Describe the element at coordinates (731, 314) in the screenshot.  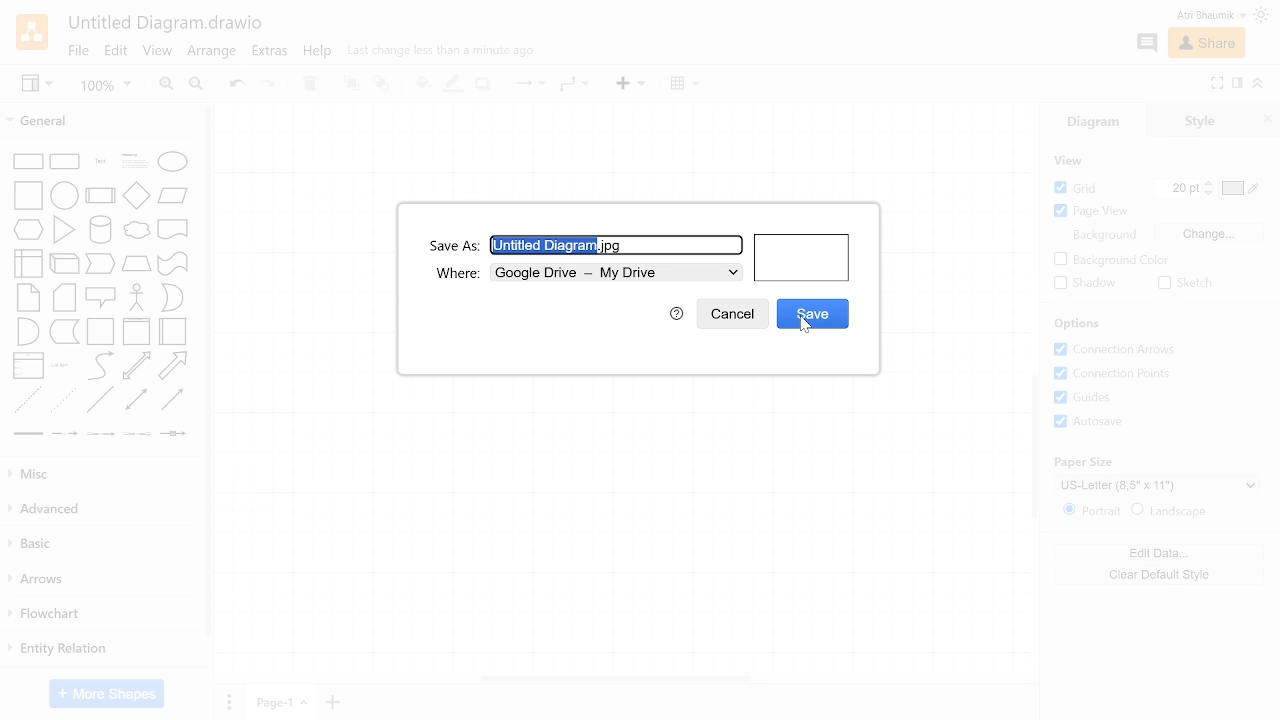
I see `Cancel` at that location.